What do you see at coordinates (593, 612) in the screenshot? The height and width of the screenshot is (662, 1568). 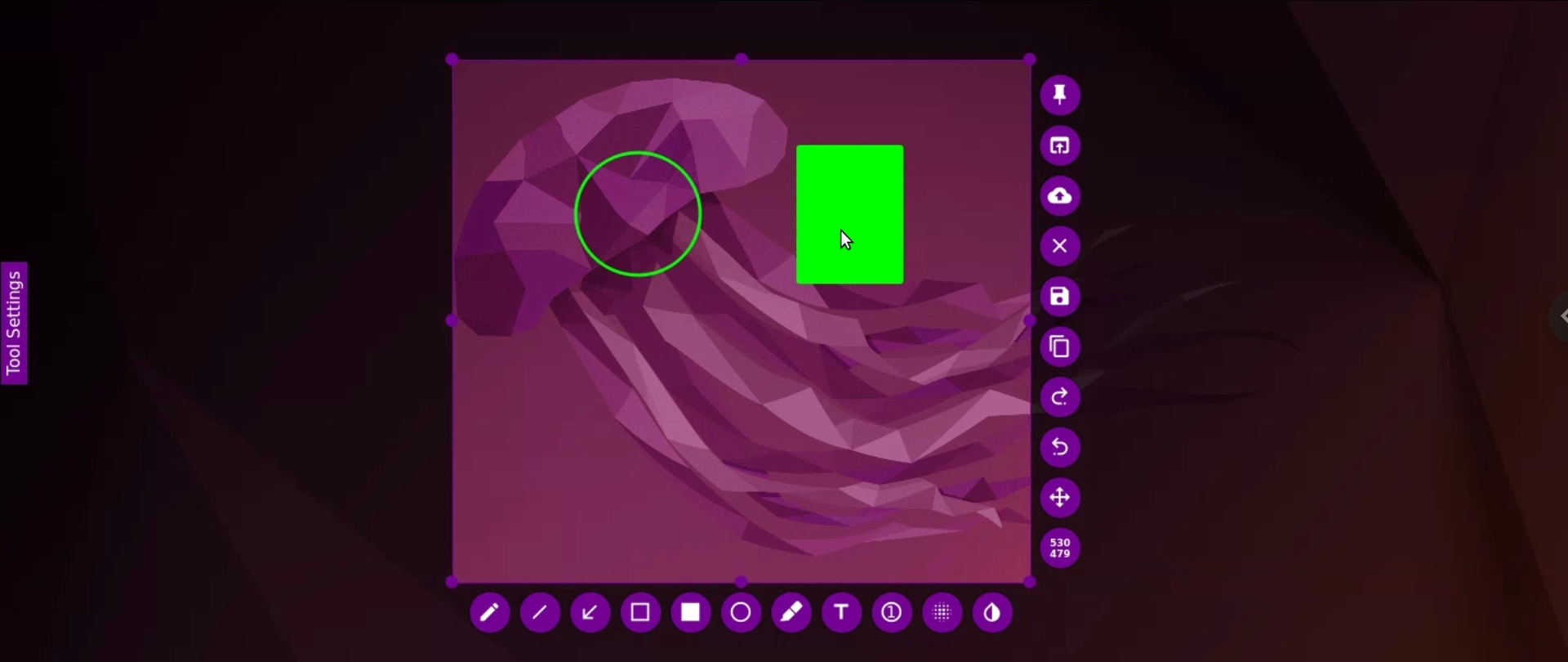 I see `arrow` at bounding box center [593, 612].